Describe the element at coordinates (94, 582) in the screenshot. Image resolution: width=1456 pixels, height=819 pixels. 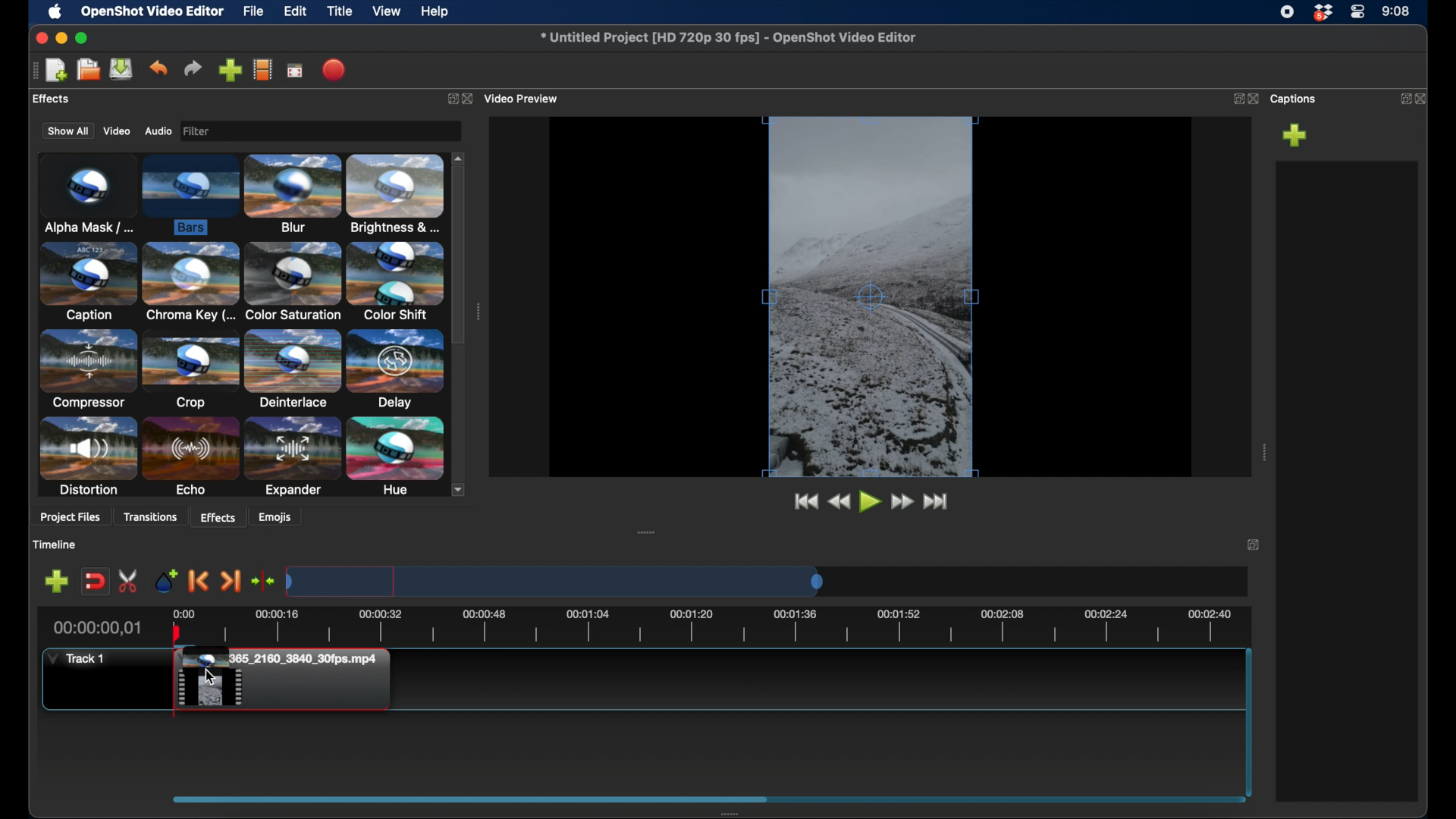
I see `disable snapping` at that location.